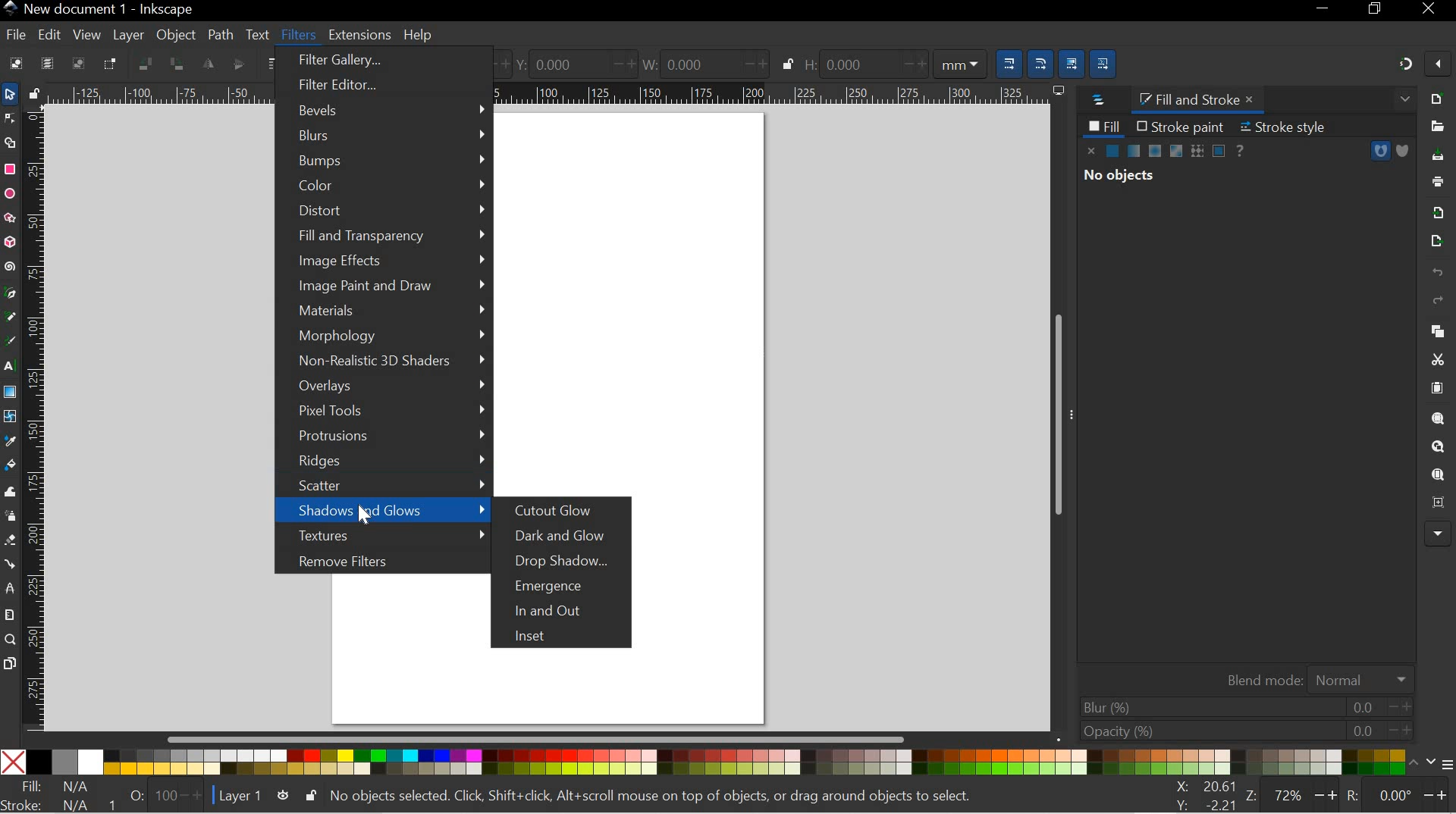 The height and width of the screenshot is (814, 1456). Describe the element at coordinates (208, 64) in the screenshot. I see `OBJECT FLIP HORIZONTAL` at that location.